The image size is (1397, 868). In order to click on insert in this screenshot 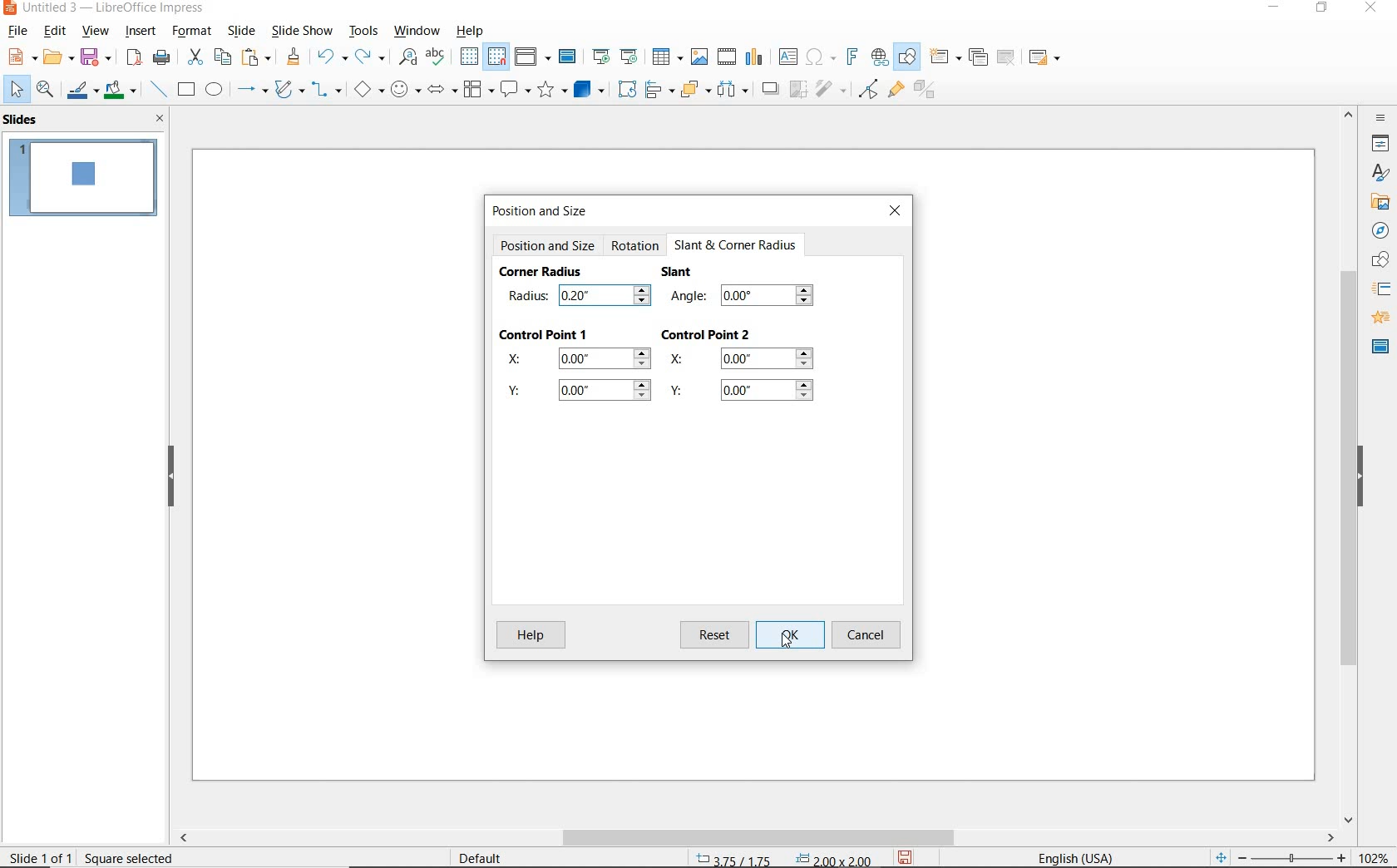, I will do `click(143, 32)`.